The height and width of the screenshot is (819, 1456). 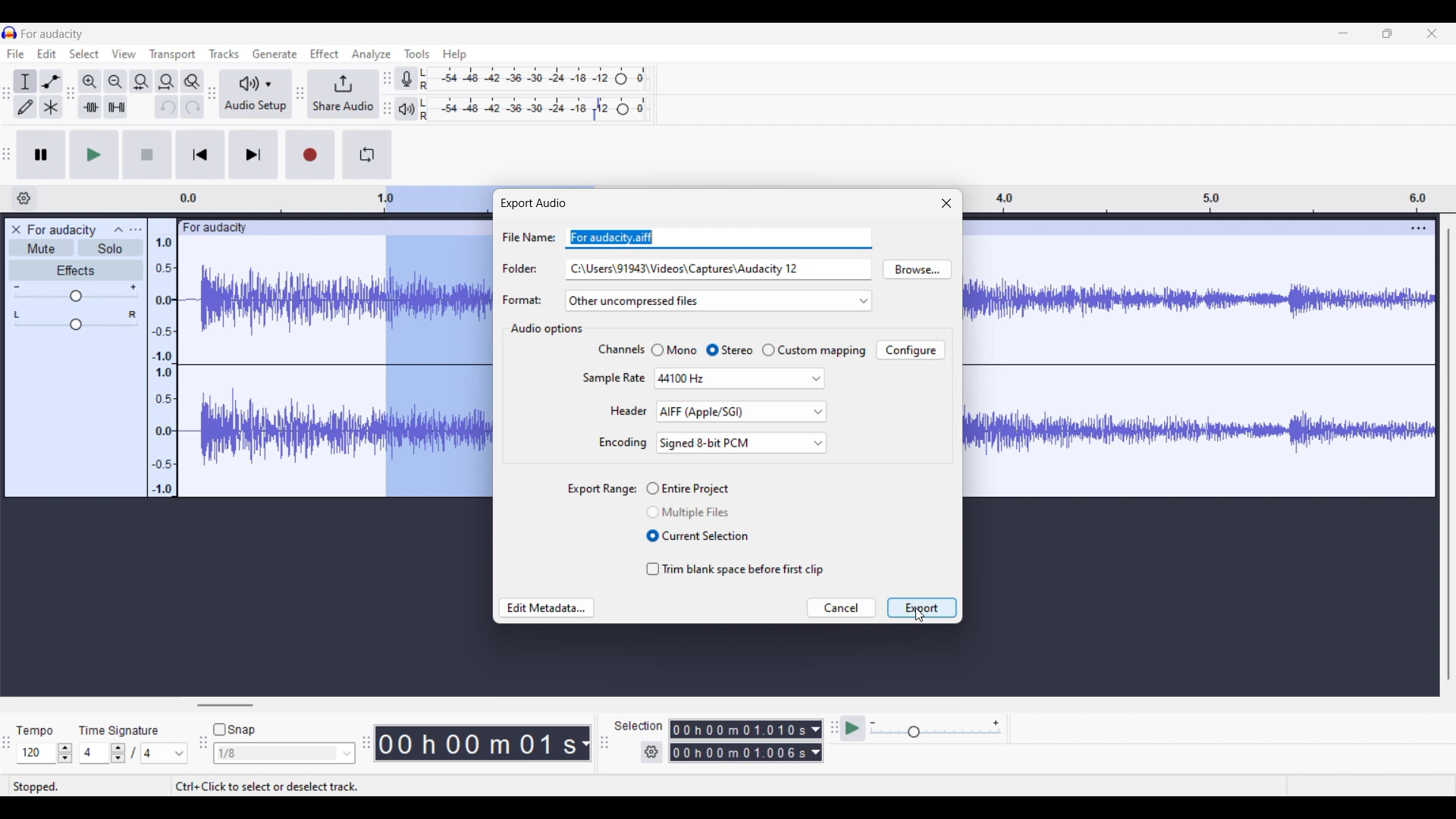 What do you see at coordinates (920, 616) in the screenshot?
I see `Cursor` at bounding box center [920, 616].